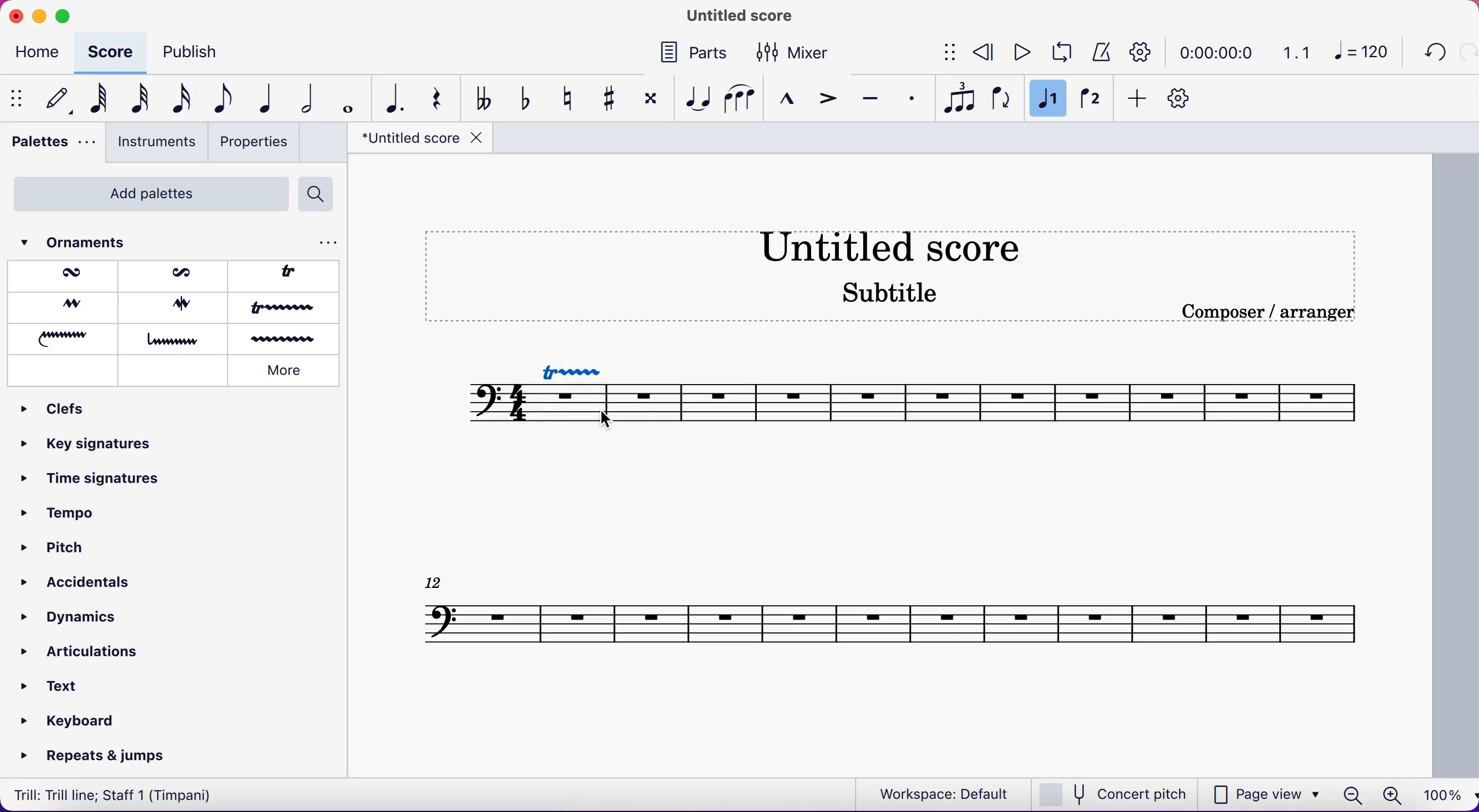  What do you see at coordinates (1351, 795) in the screenshot?
I see `zoom out` at bounding box center [1351, 795].